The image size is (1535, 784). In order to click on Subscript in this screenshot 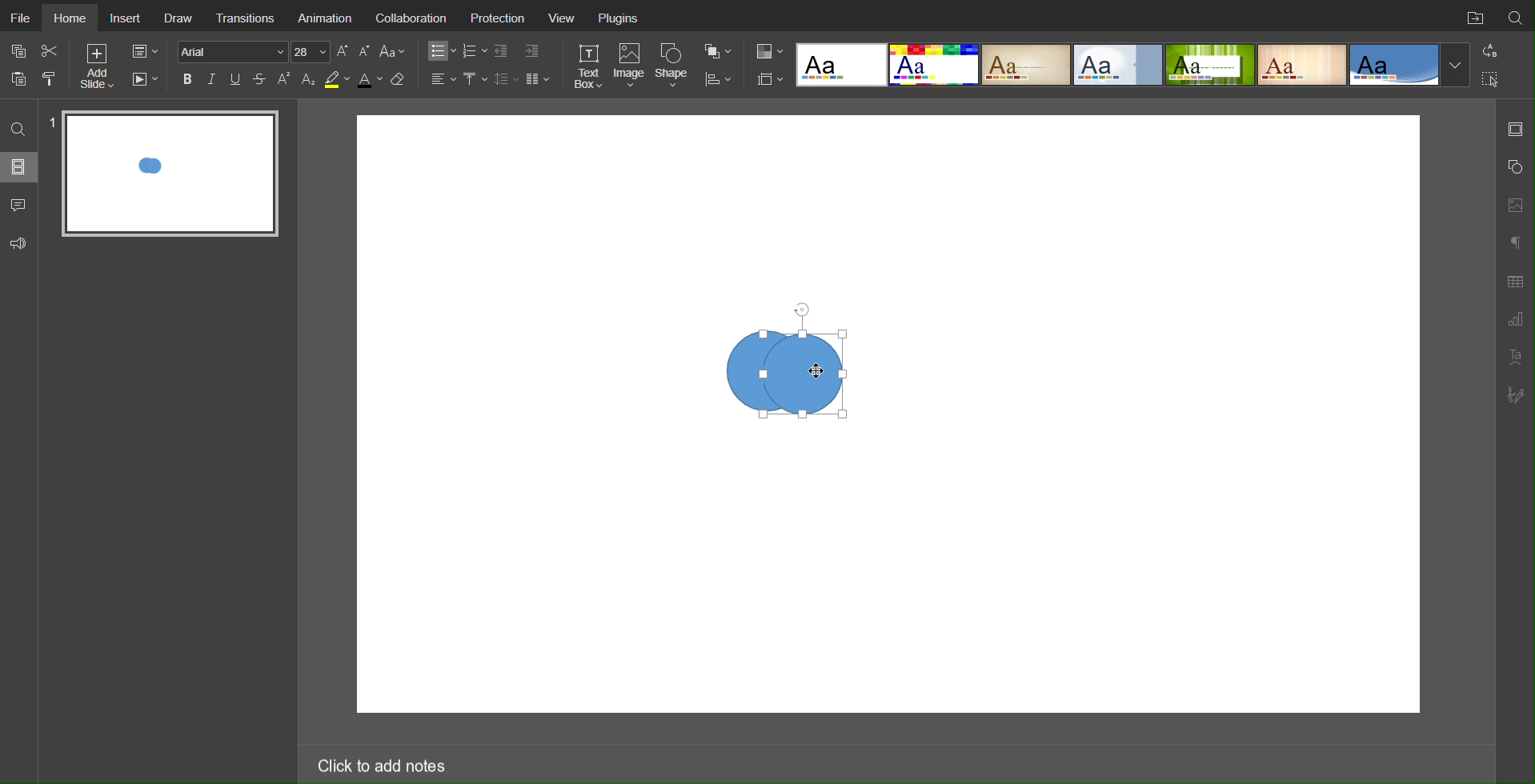, I will do `click(309, 79)`.